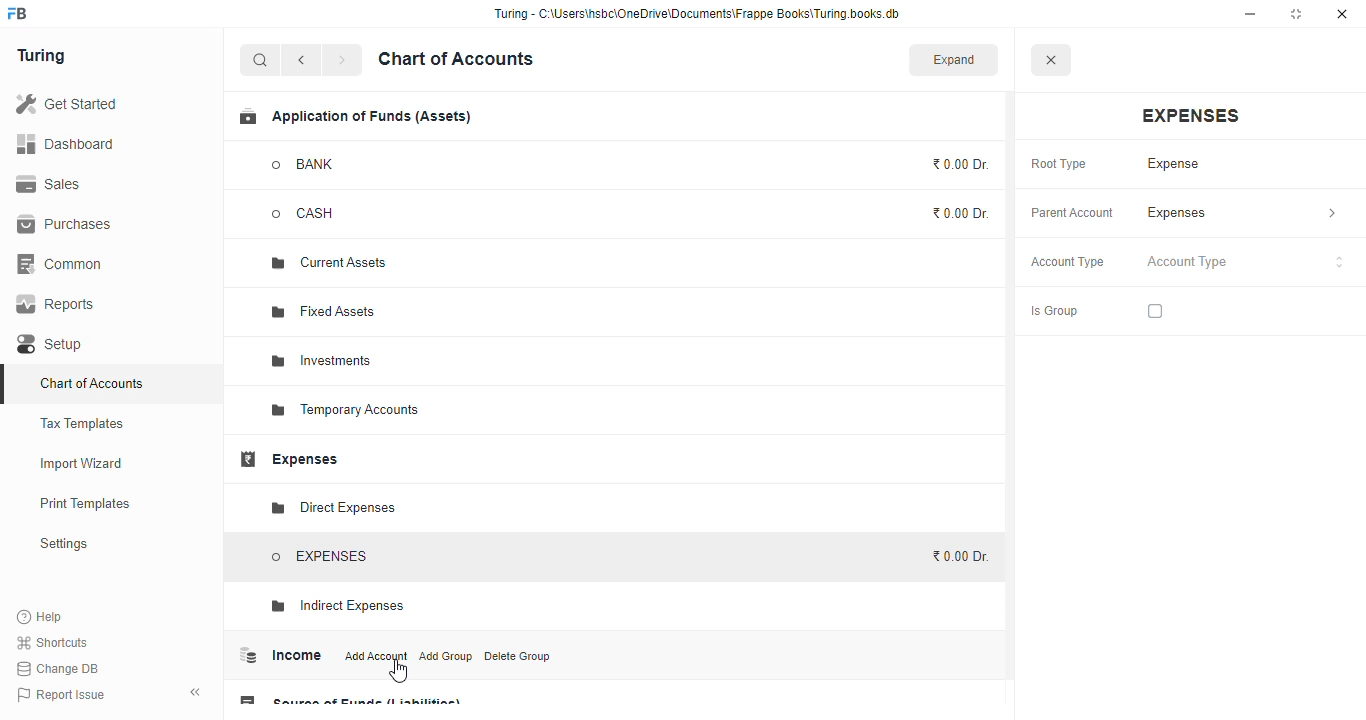 Image resolution: width=1366 pixels, height=720 pixels. What do you see at coordinates (281, 655) in the screenshot?
I see `income` at bounding box center [281, 655].